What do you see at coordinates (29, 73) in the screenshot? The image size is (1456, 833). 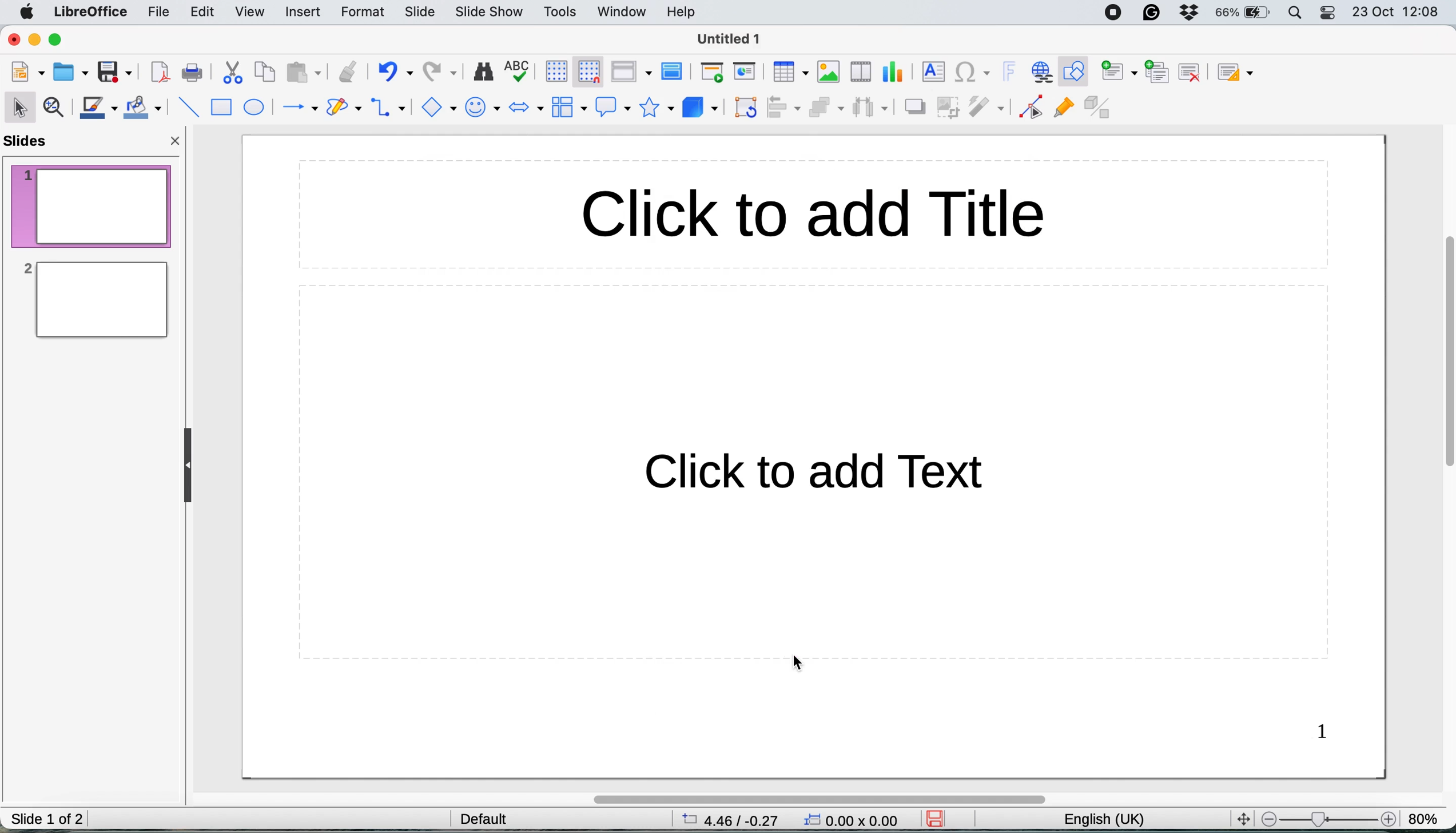 I see `new` at bounding box center [29, 73].